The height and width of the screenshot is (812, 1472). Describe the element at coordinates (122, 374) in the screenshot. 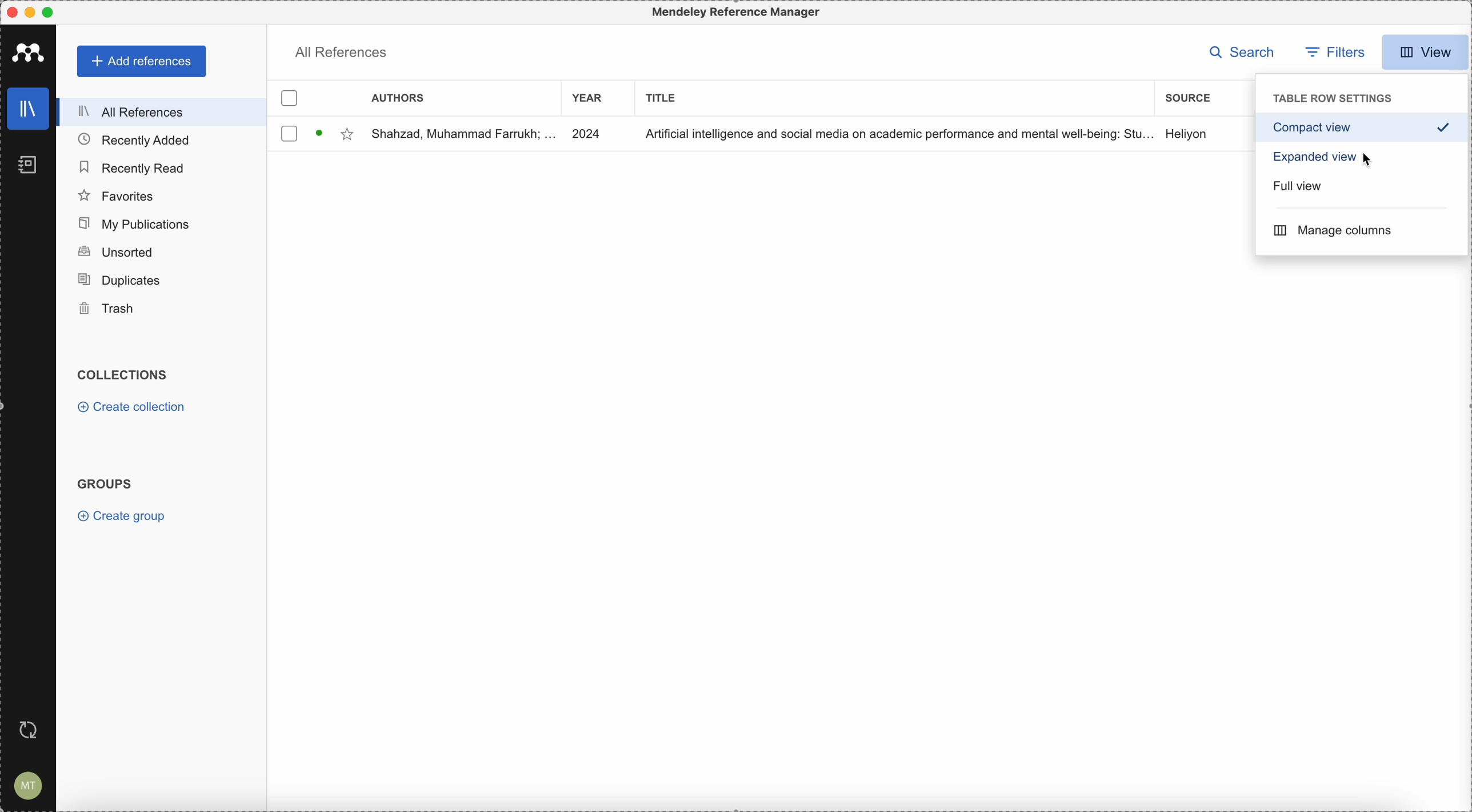

I see `collections` at that location.